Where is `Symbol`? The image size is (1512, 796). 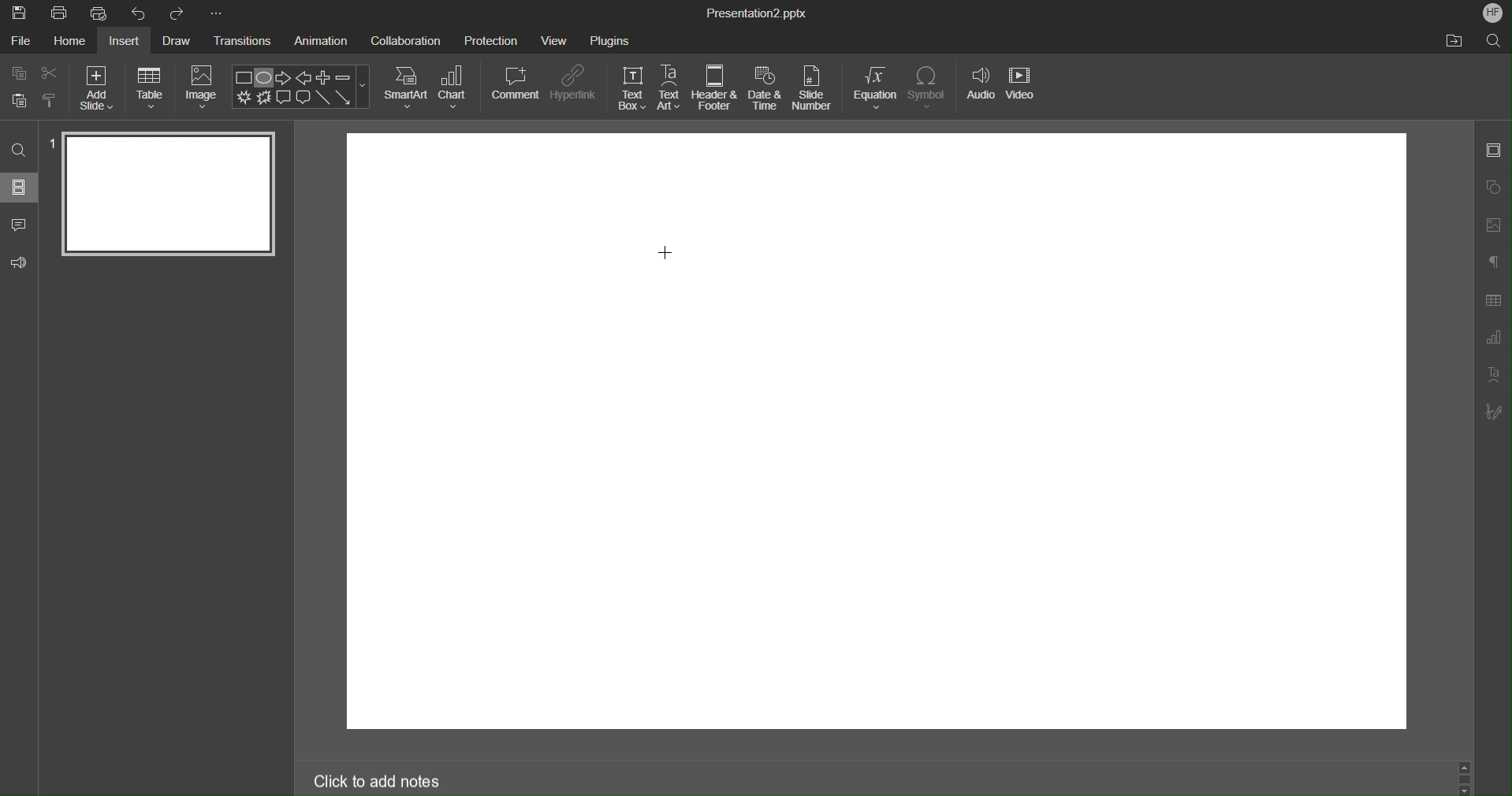
Symbol is located at coordinates (929, 88).